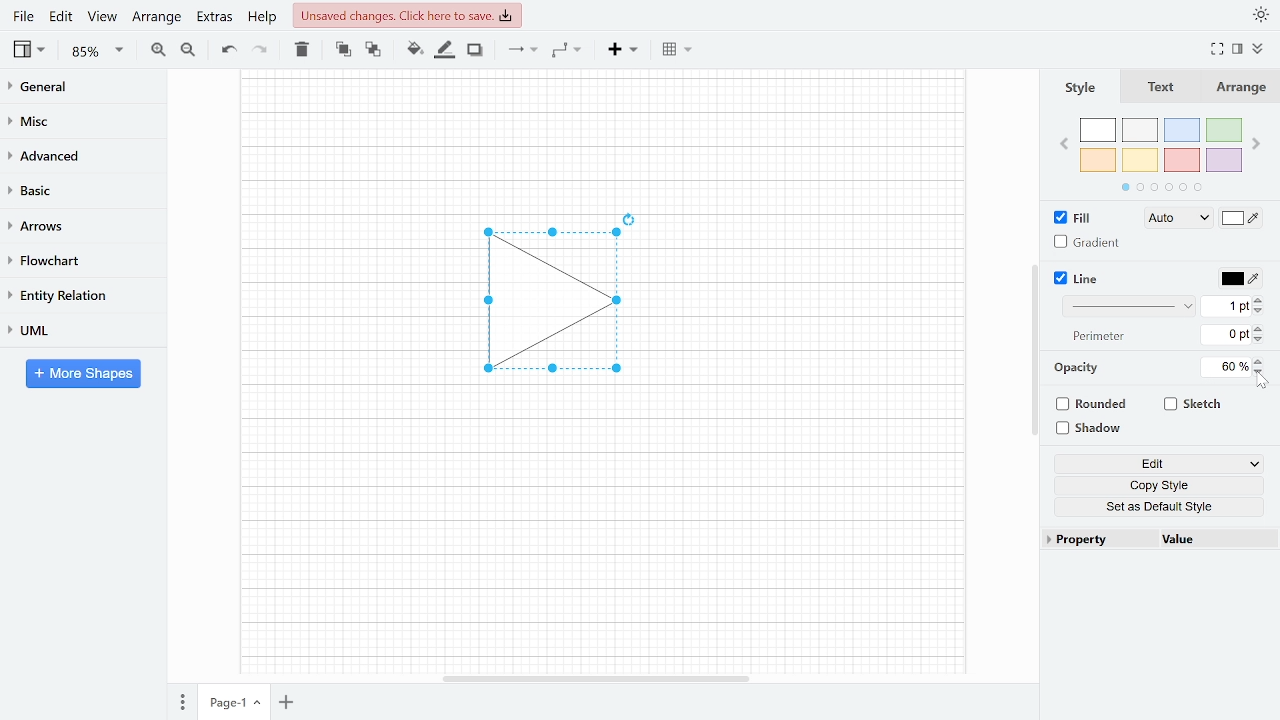 This screenshot has height=720, width=1280. What do you see at coordinates (1261, 372) in the screenshot?
I see `Decrease opacity` at bounding box center [1261, 372].